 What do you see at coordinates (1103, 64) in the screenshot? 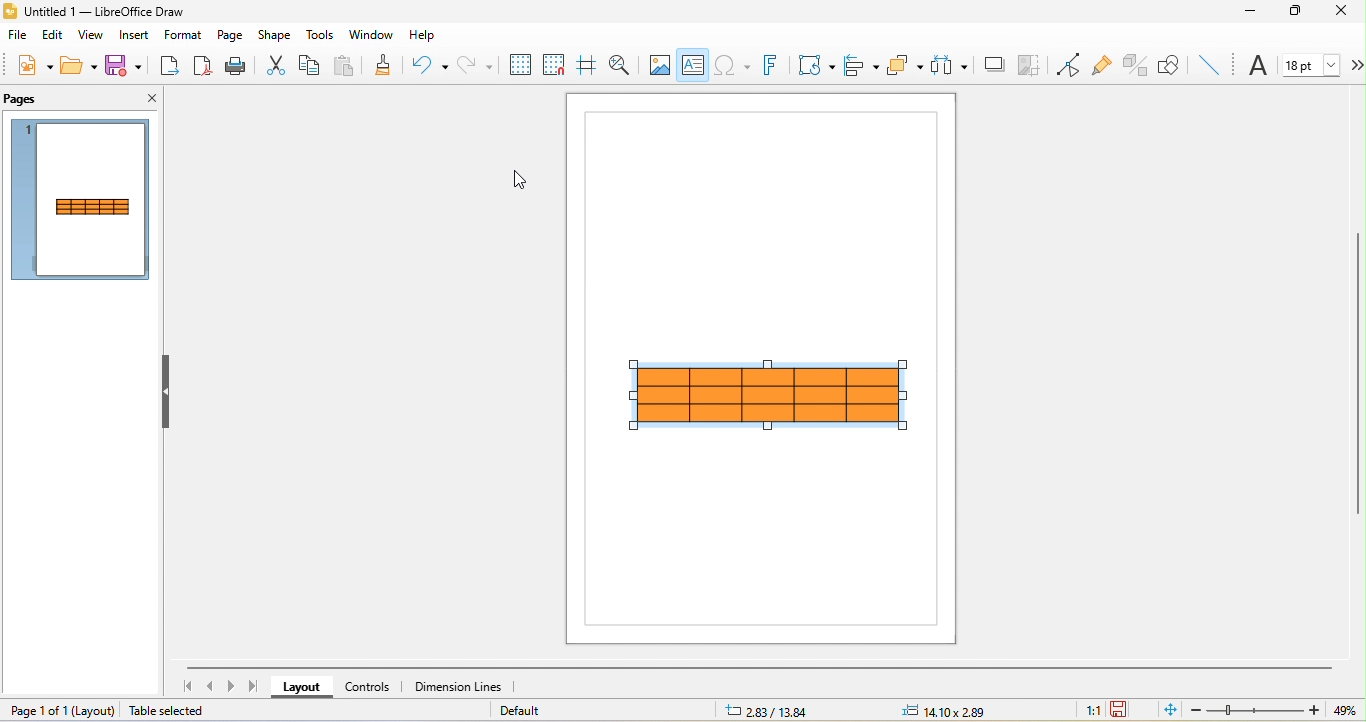
I see `gluepoint function` at bounding box center [1103, 64].